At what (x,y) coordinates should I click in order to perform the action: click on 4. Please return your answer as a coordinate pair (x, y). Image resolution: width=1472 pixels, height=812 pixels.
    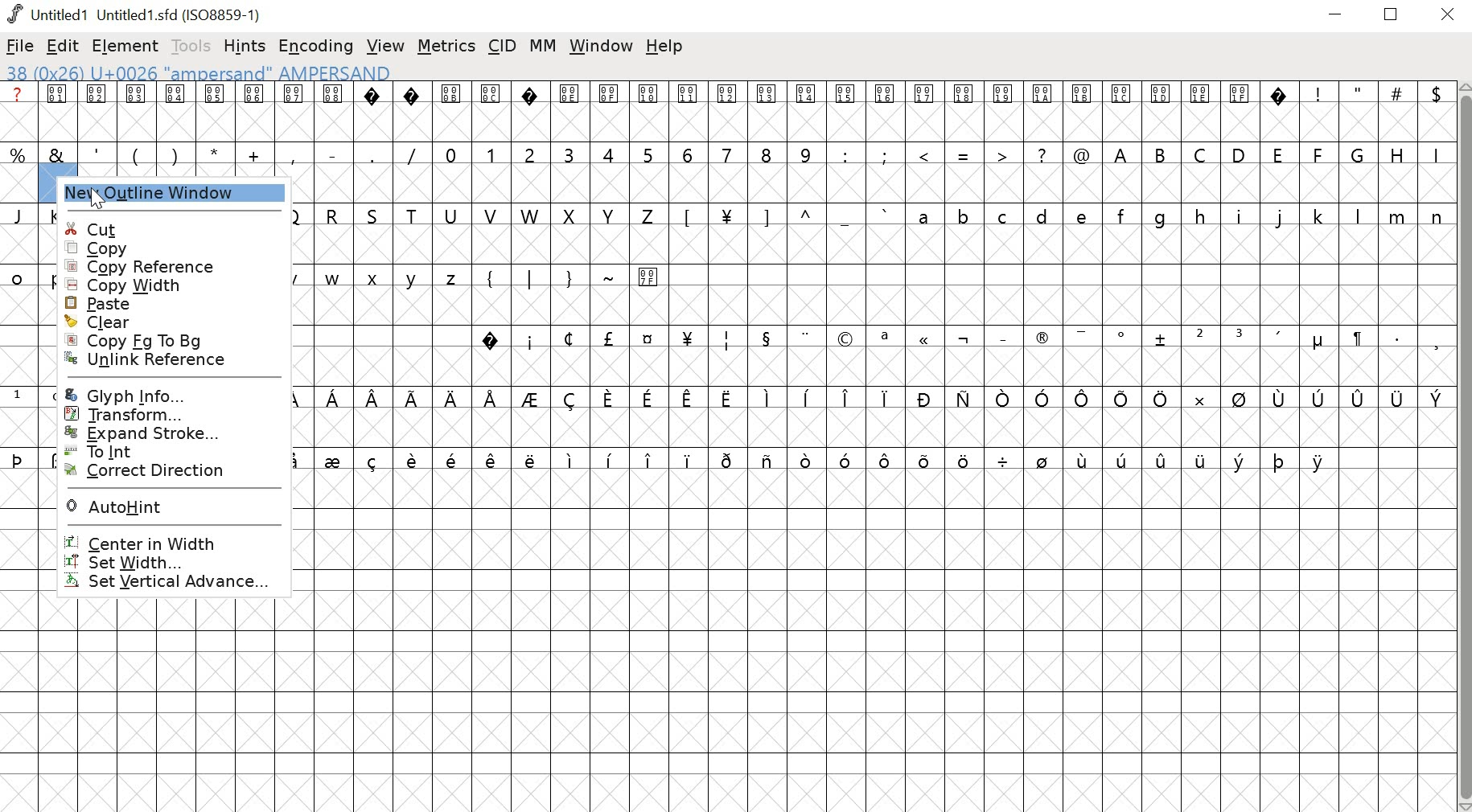
    Looking at the image, I should click on (611, 154).